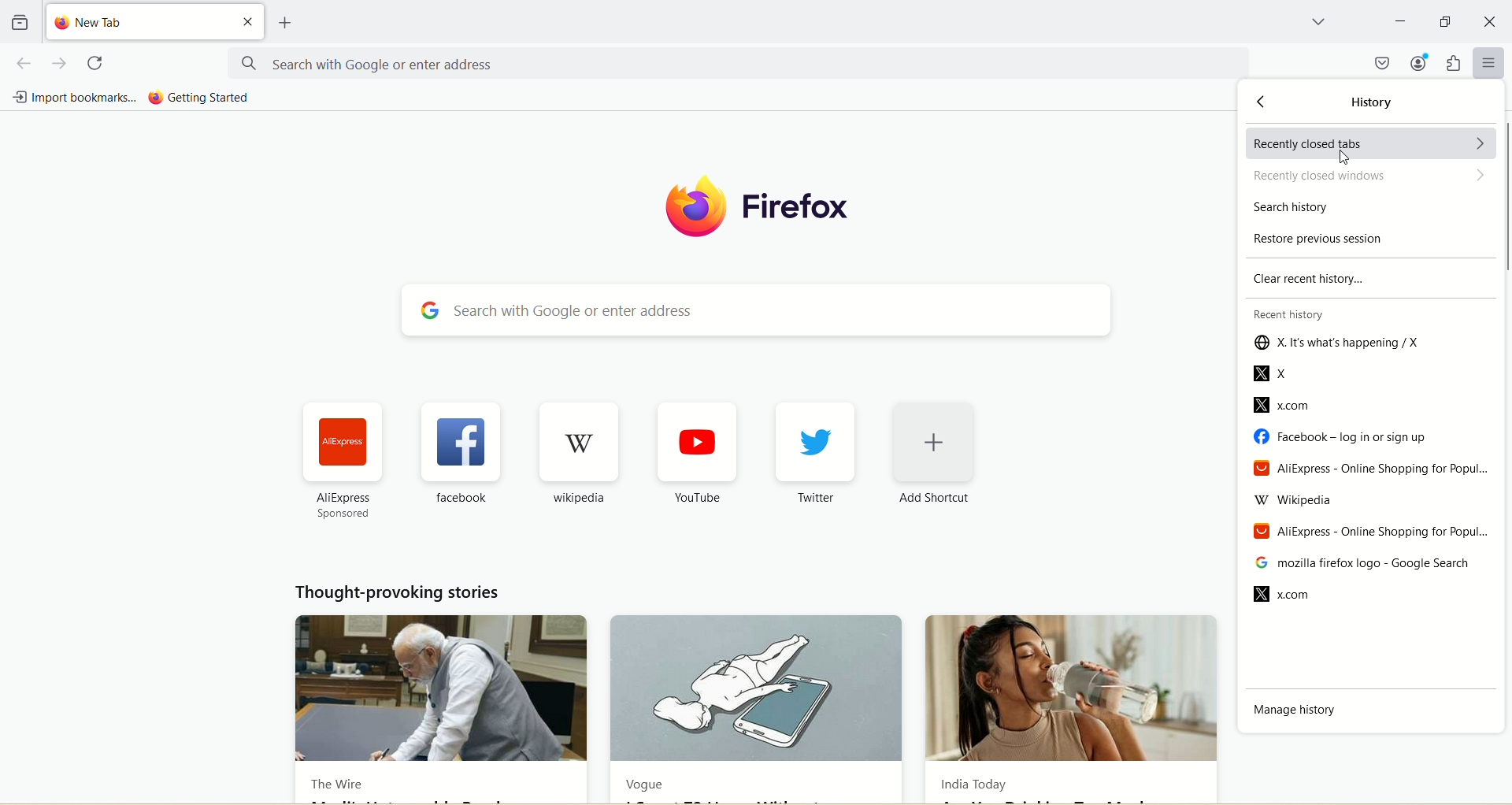  What do you see at coordinates (815, 440) in the screenshot?
I see `twitter` at bounding box center [815, 440].